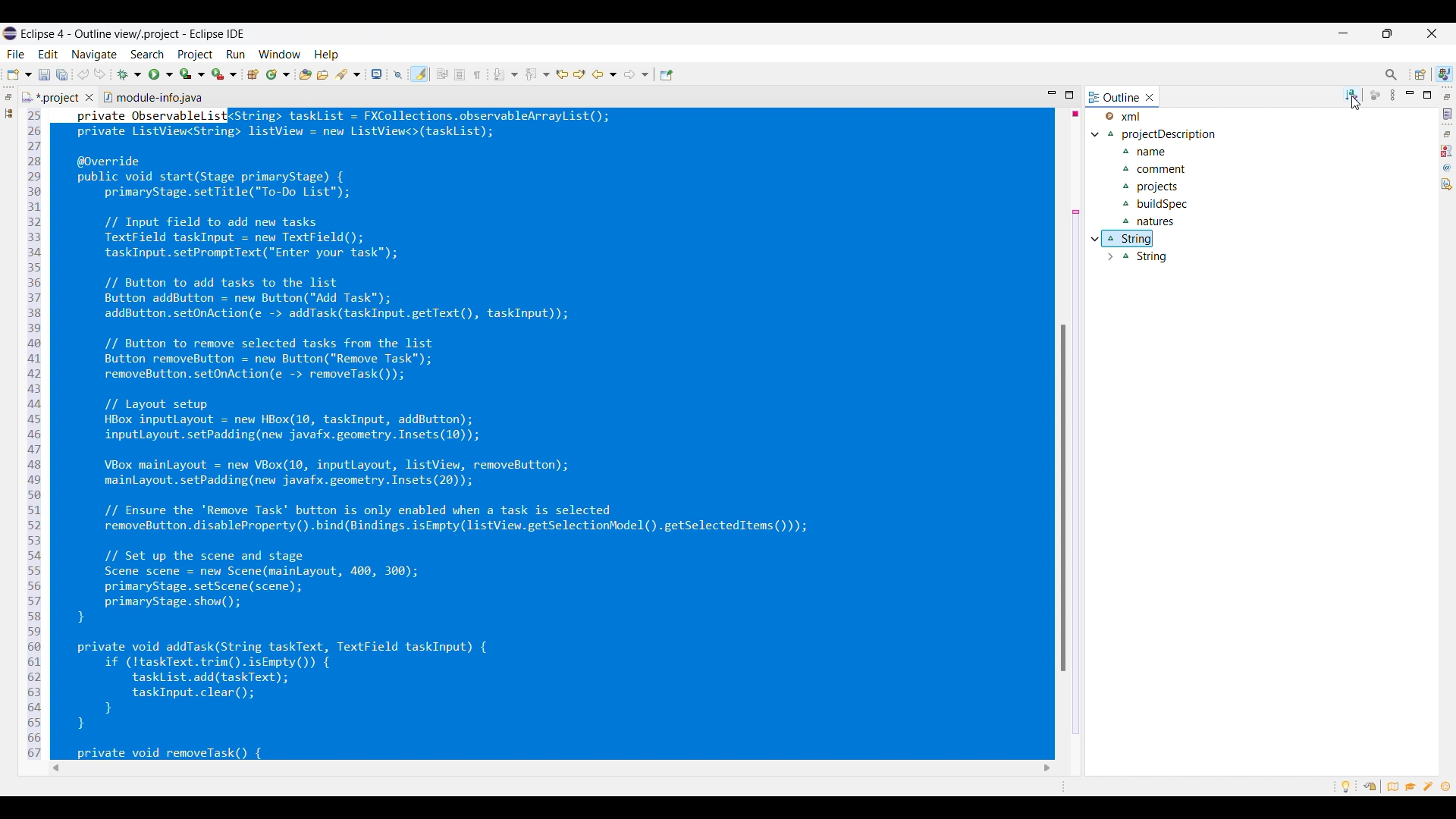 Image resolution: width=1456 pixels, height=819 pixels. What do you see at coordinates (51, 96) in the screenshot?
I see `Current tab highlighted` at bounding box center [51, 96].